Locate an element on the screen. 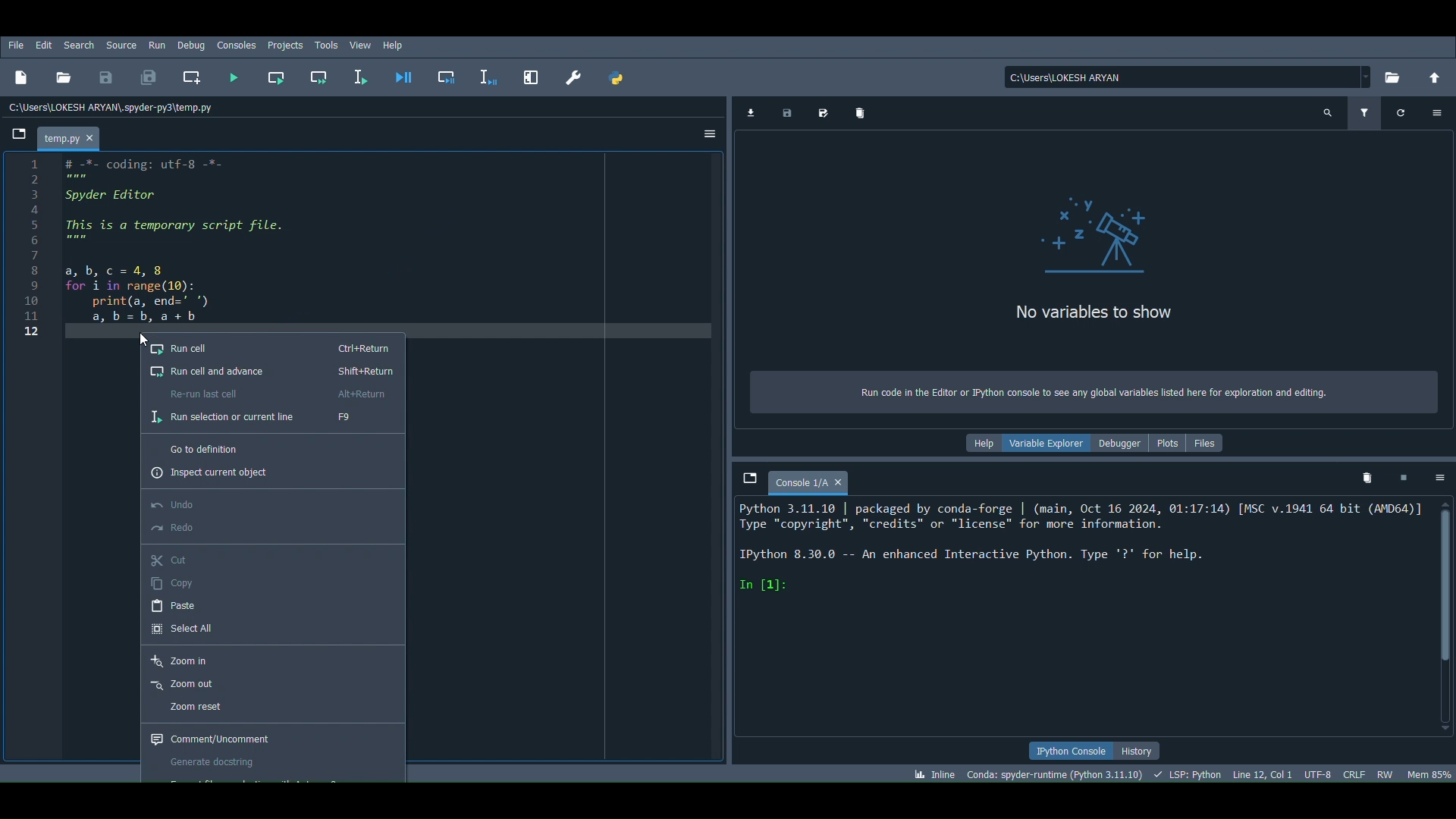 The image size is (1456, 819). Change to parent directory is located at coordinates (1434, 78).